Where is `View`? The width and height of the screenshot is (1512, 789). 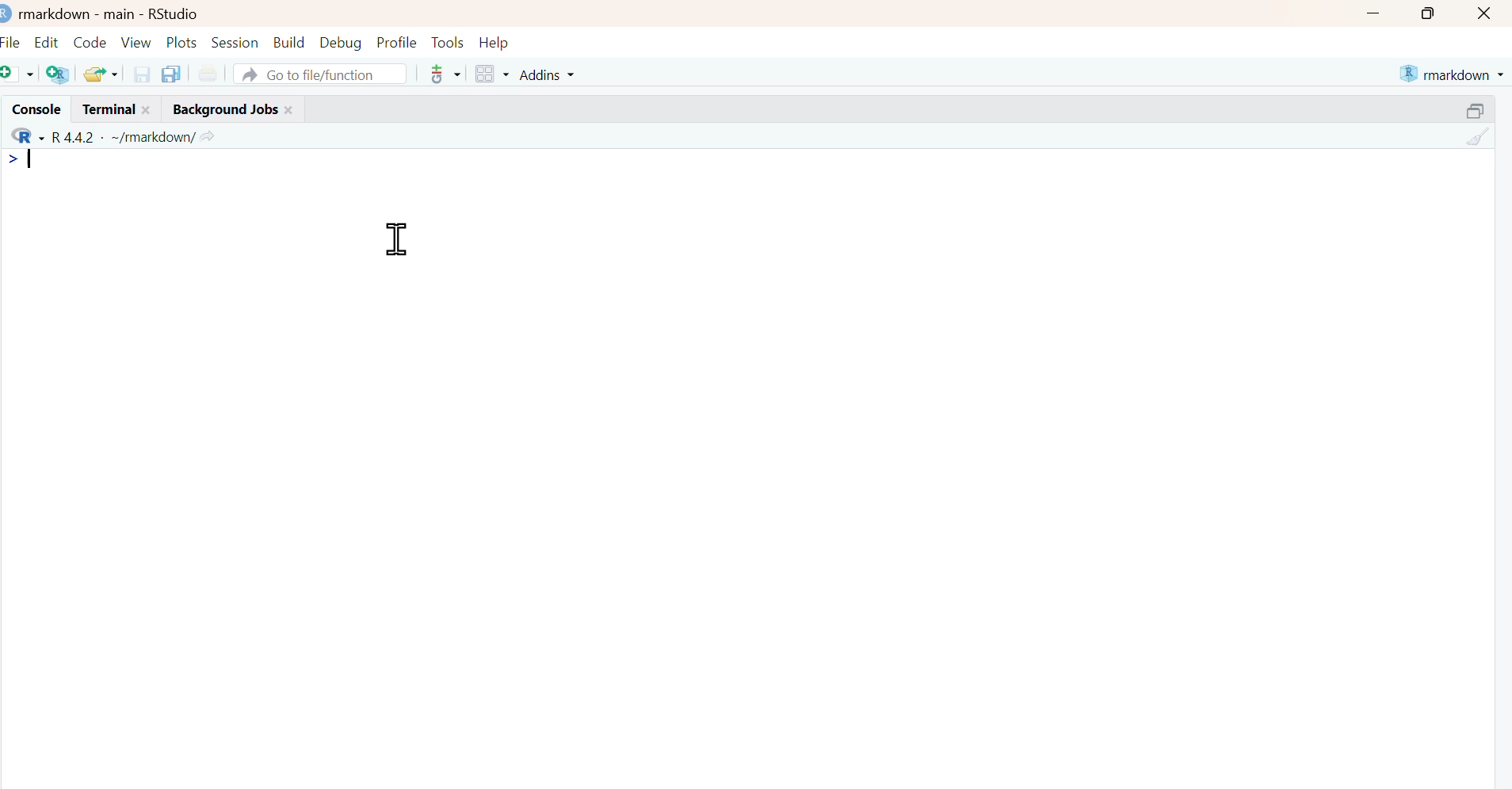 View is located at coordinates (138, 40).